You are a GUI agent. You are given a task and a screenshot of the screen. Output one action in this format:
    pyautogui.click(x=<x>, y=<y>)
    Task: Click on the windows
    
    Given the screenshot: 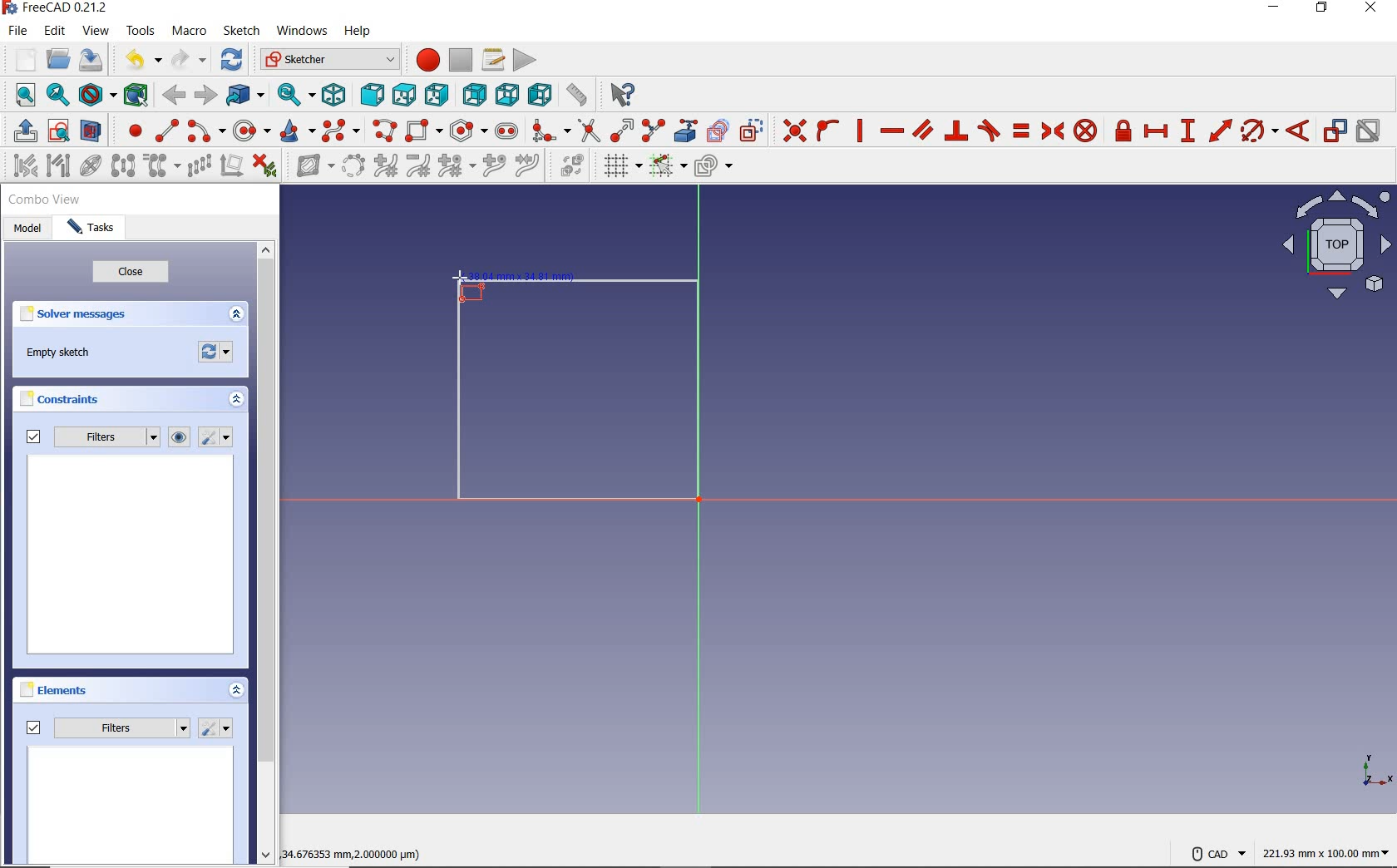 What is the action you would take?
    pyautogui.click(x=302, y=32)
    